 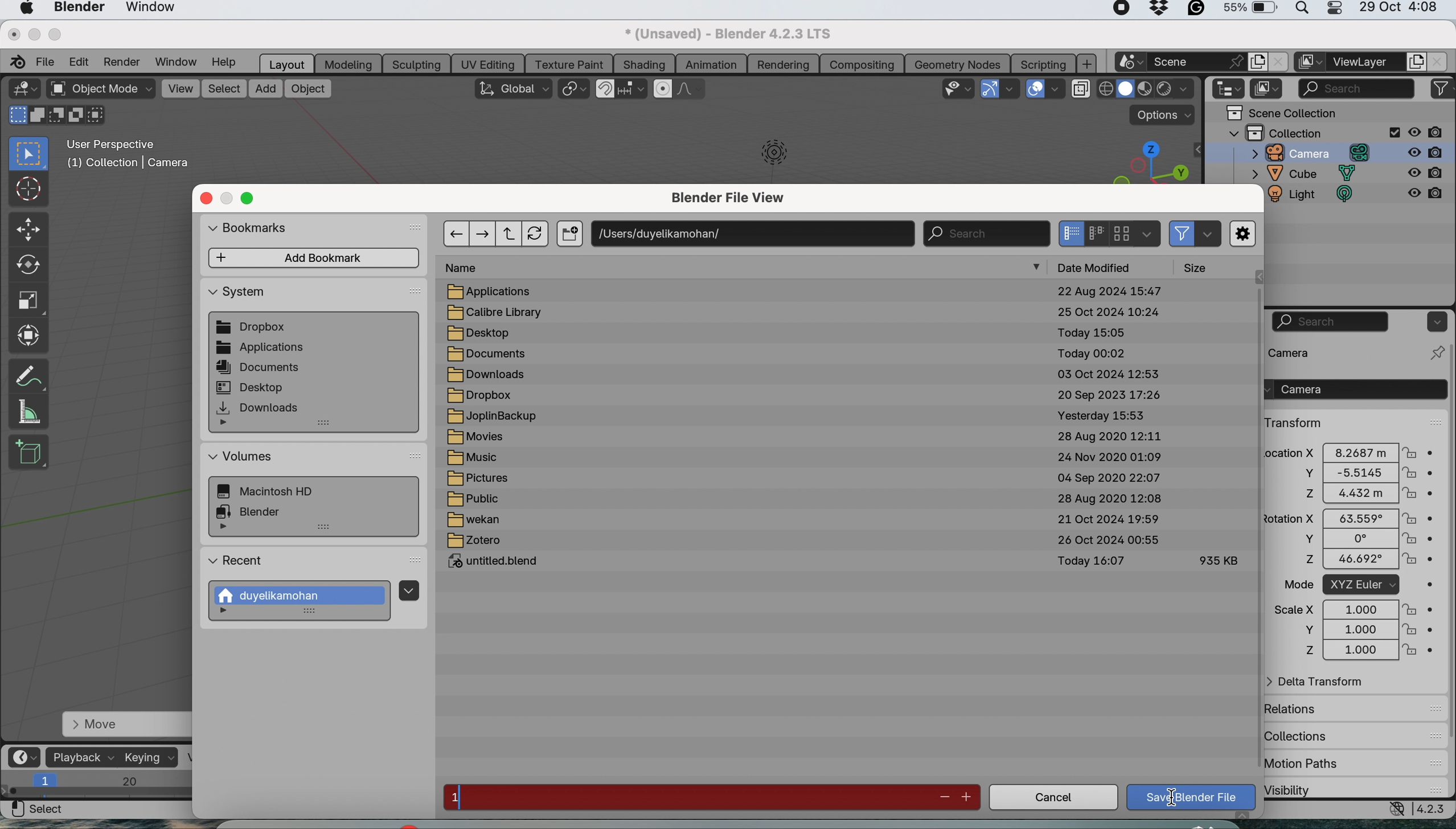 What do you see at coordinates (1295, 422) in the screenshot?
I see `transform` at bounding box center [1295, 422].